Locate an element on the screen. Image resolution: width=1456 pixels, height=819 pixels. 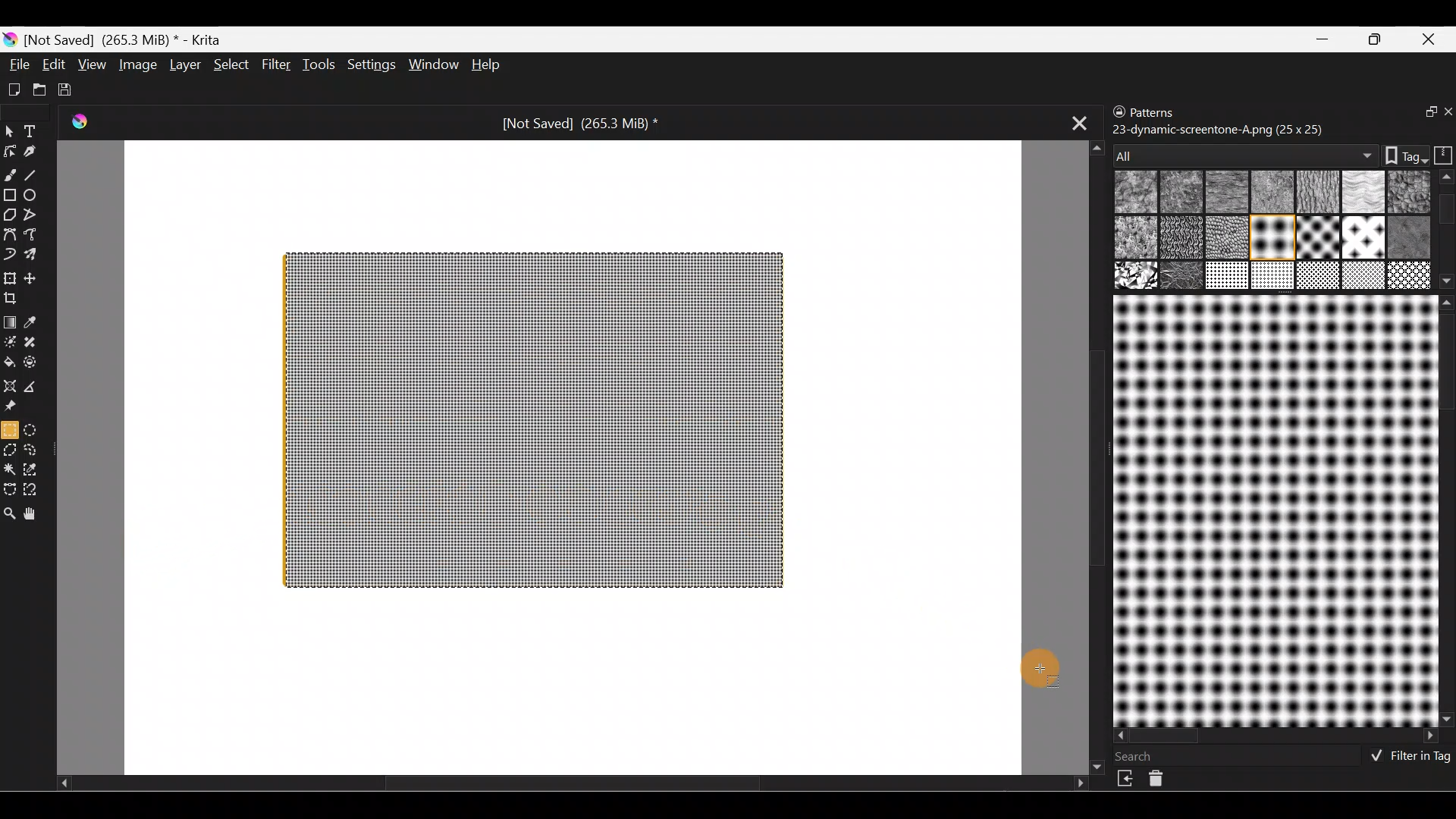
Scroll bar is located at coordinates (1277, 736).